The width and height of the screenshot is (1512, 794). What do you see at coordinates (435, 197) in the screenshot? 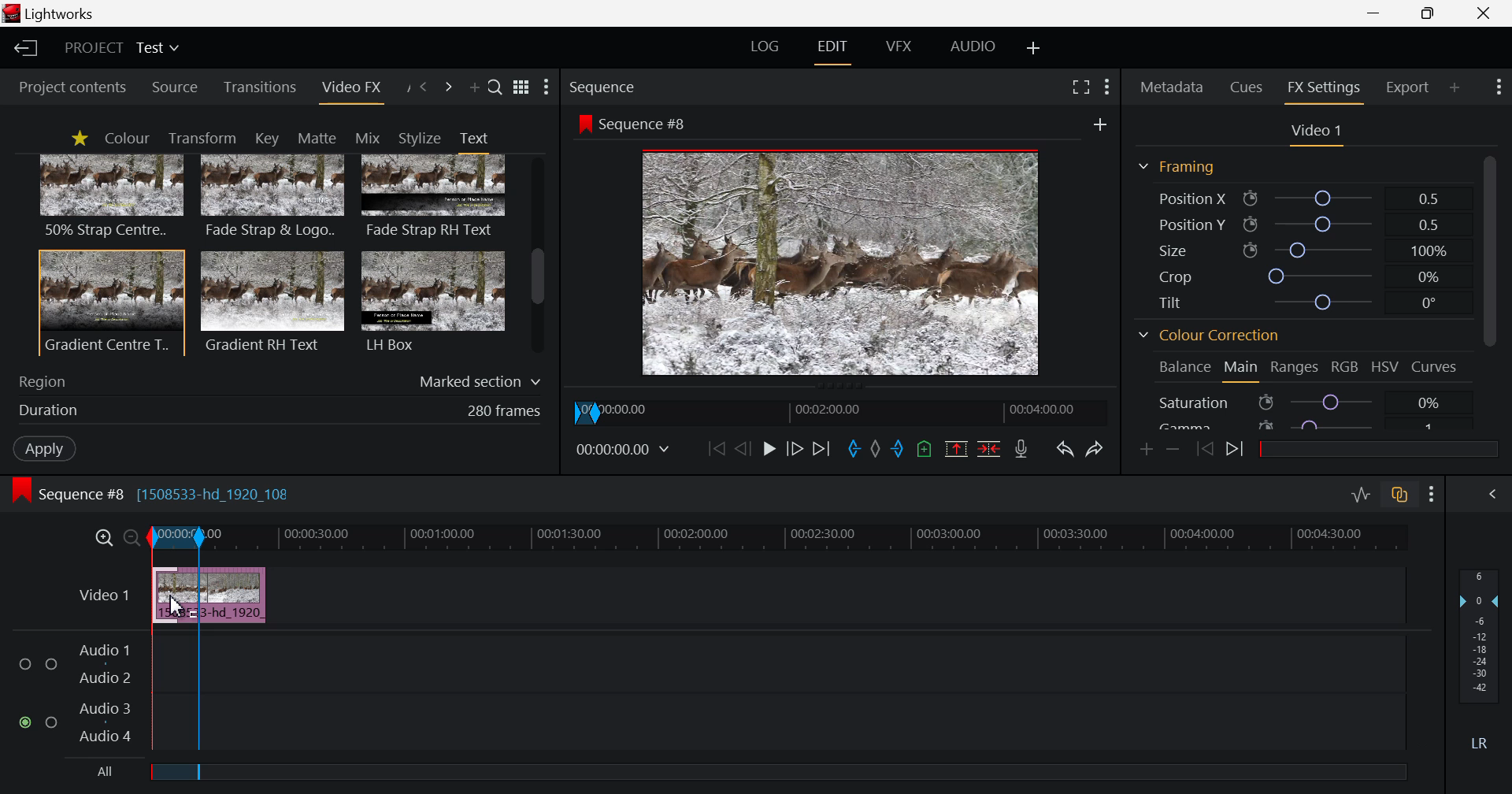
I see `Fade Strap RH Text` at bounding box center [435, 197].